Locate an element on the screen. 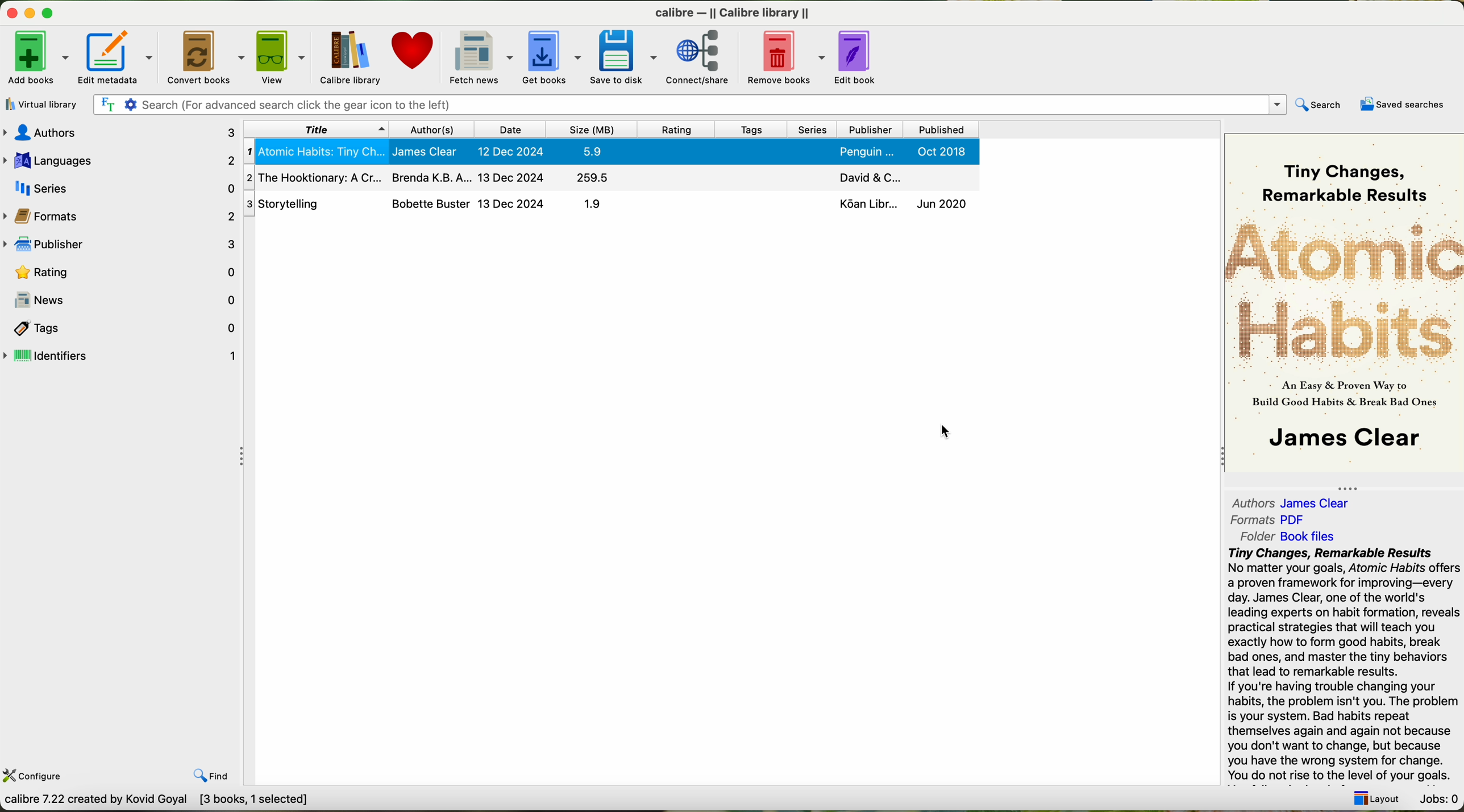 The image size is (1464, 812). search is located at coordinates (1320, 105).